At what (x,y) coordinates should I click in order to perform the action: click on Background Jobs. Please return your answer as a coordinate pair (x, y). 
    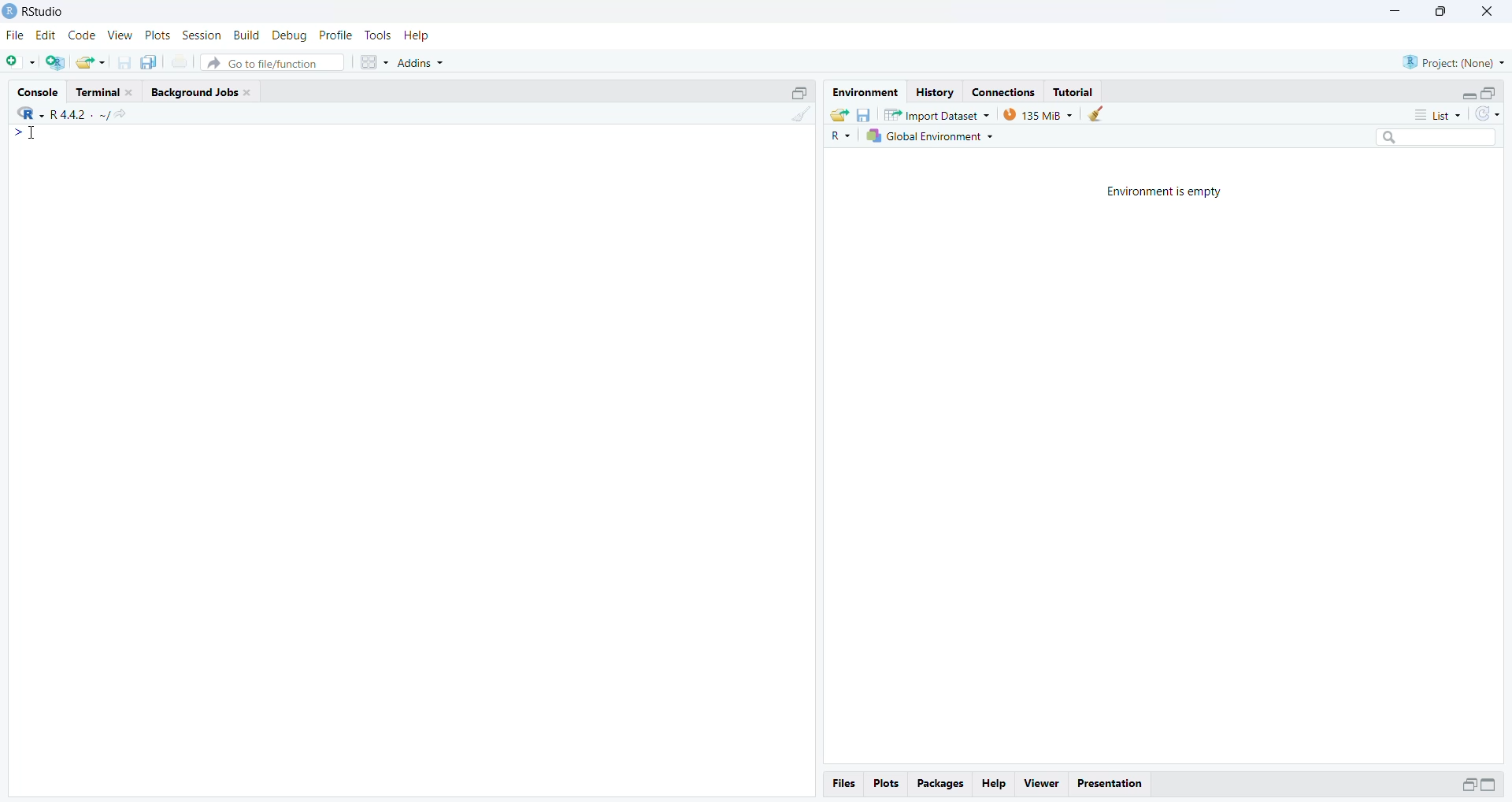
    Looking at the image, I should click on (204, 92).